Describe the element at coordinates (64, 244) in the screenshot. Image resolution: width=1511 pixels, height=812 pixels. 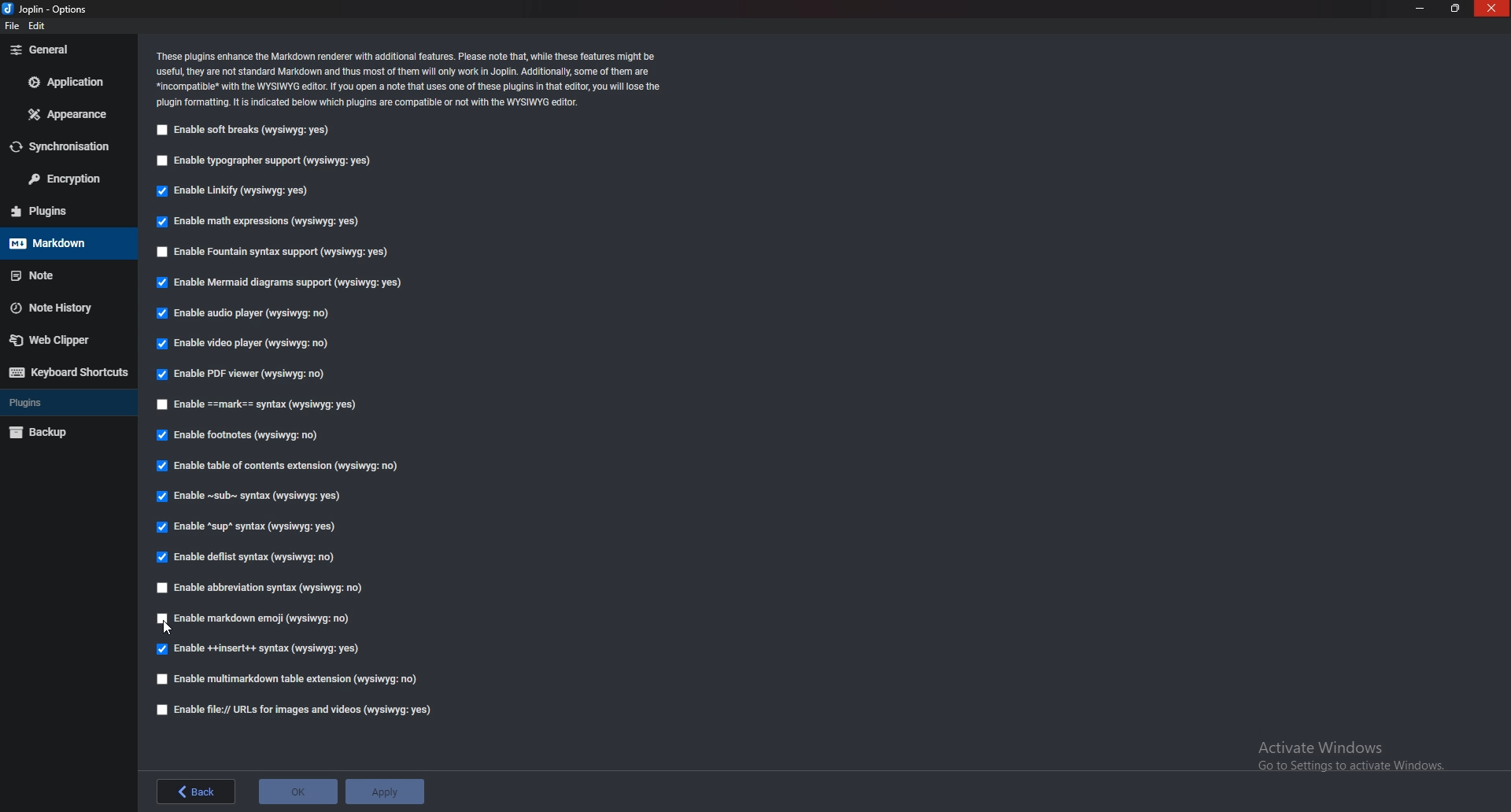
I see `Mark down` at that location.